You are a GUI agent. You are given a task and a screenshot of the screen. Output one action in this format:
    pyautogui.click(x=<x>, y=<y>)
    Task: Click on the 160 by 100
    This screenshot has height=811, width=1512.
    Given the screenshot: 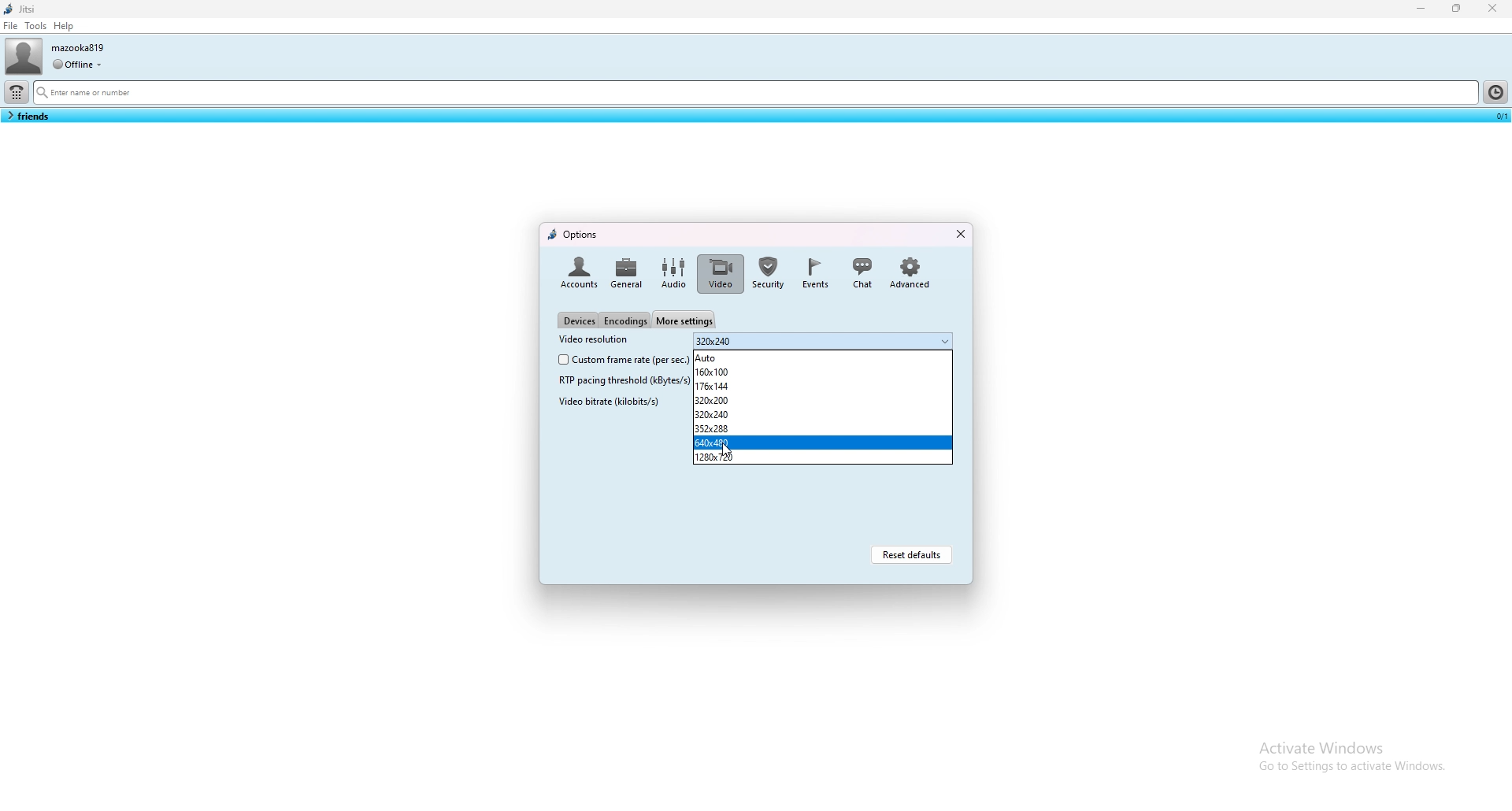 What is the action you would take?
    pyautogui.click(x=822, y=371)
    